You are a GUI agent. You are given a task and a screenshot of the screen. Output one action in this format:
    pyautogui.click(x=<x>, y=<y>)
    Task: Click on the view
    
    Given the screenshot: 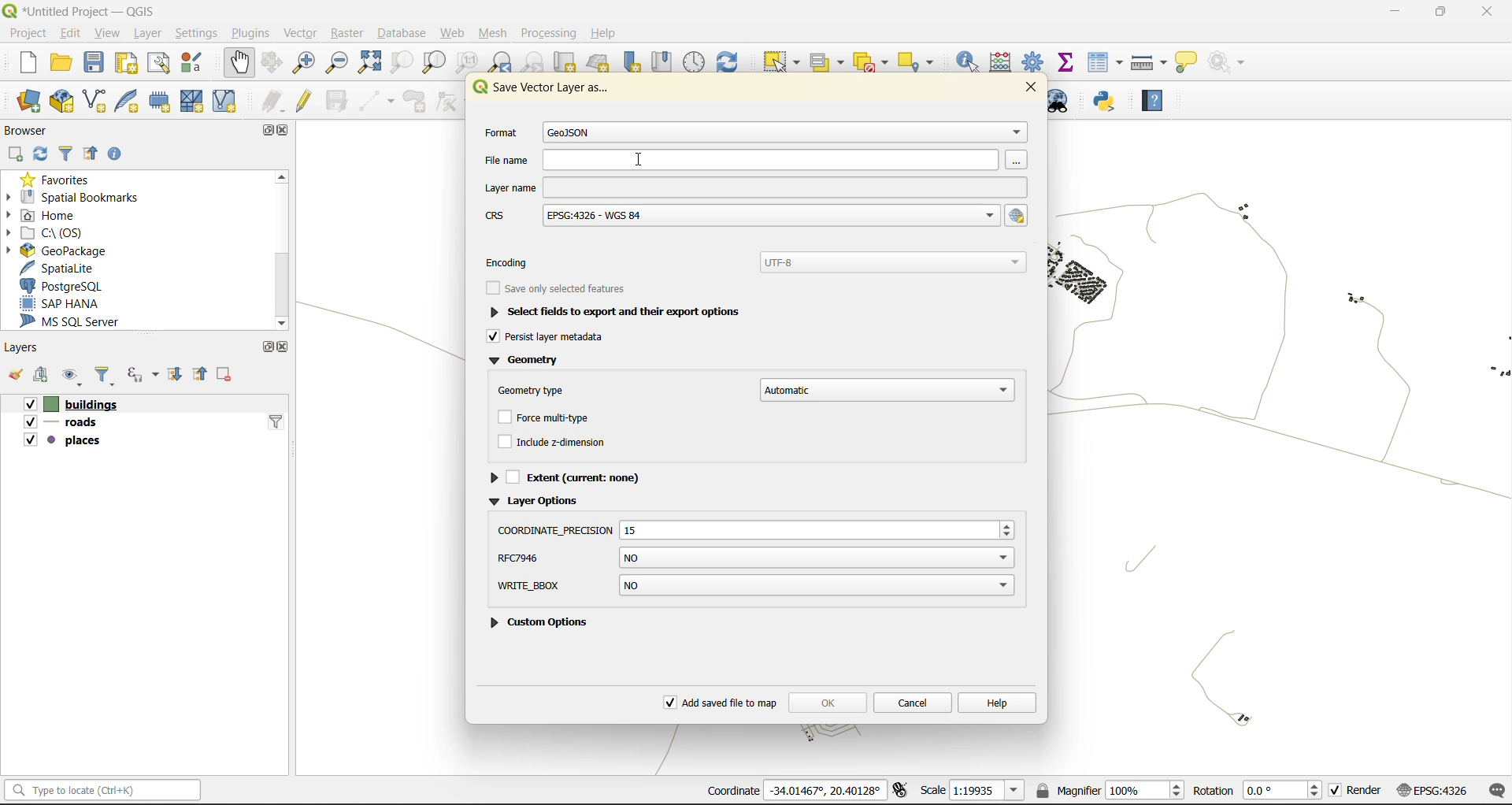 What is the action you would take?
    pyautogui.click(x=107, y=35)
    